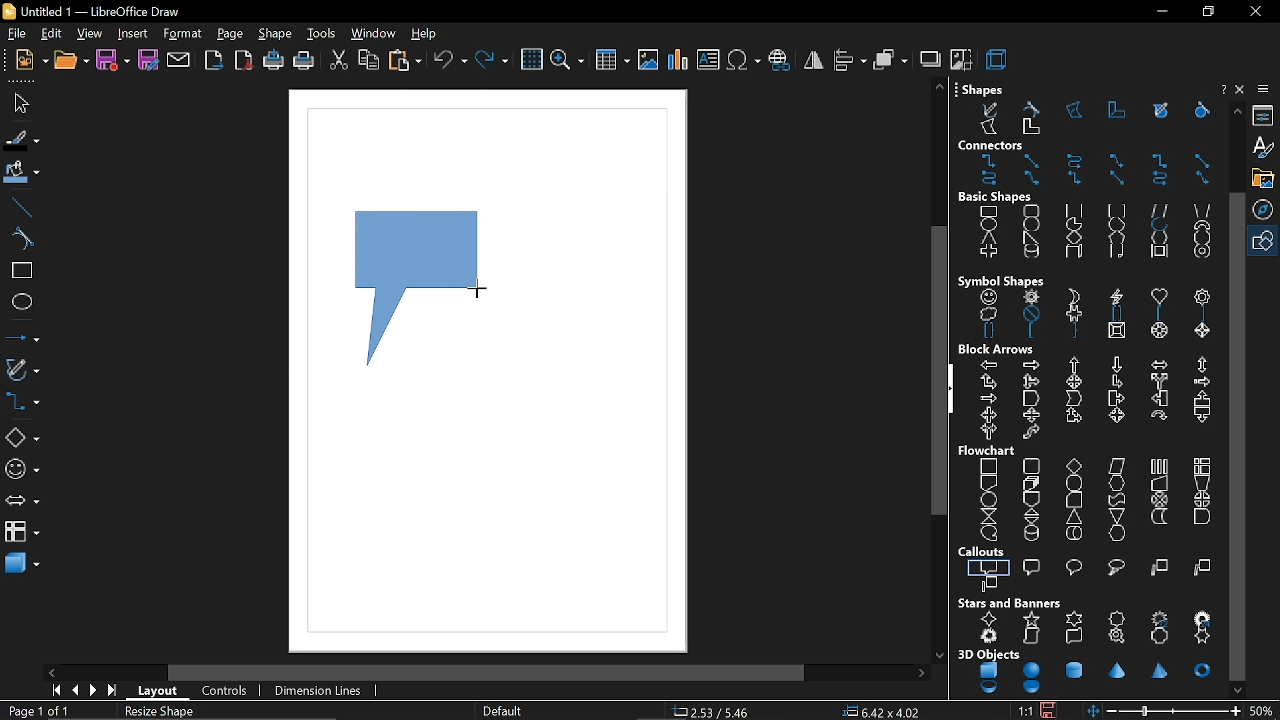 The image size is (1280, 720). Describe the element at coordinates (987, 483) in the screenshot. I see `document` at that location.